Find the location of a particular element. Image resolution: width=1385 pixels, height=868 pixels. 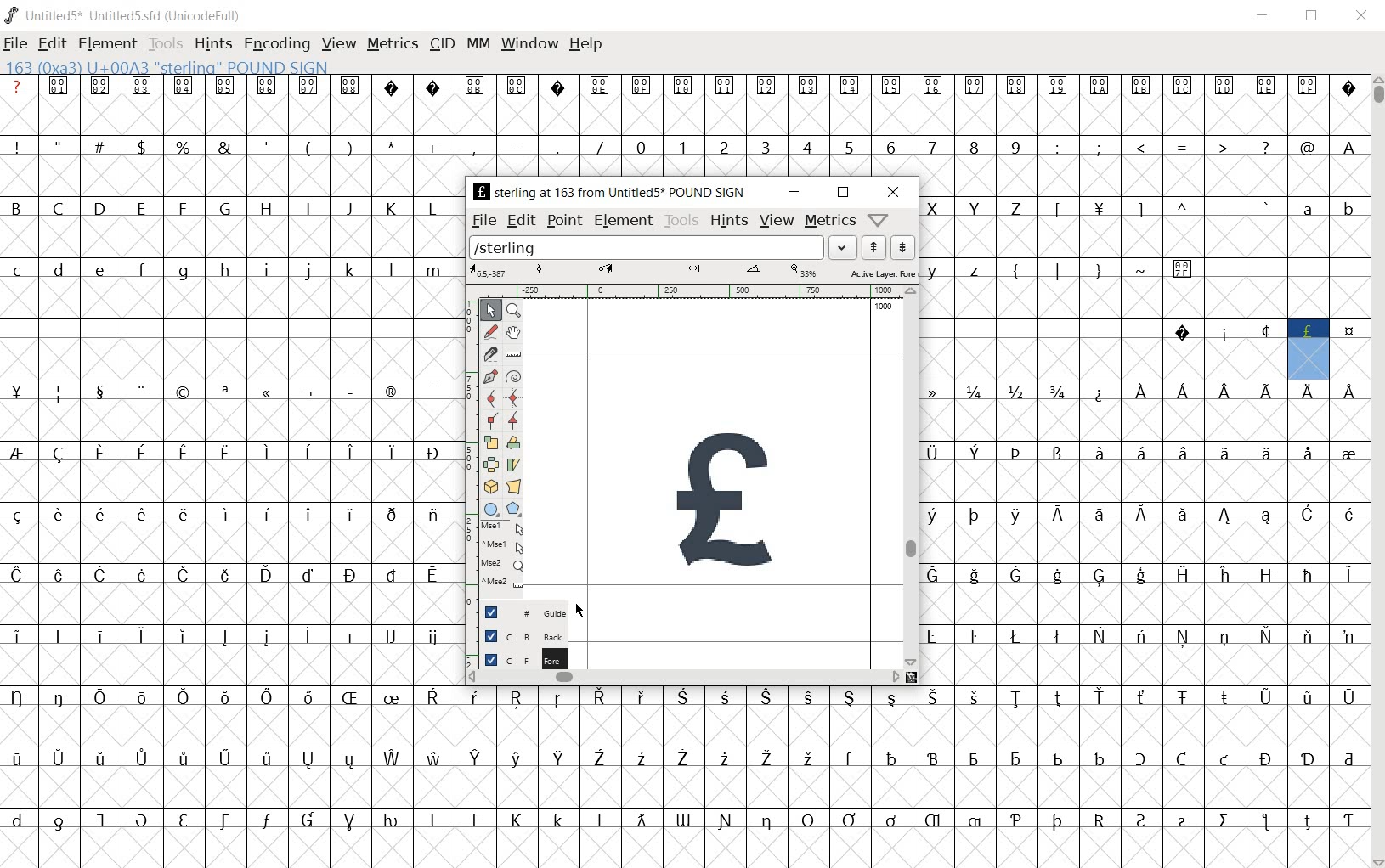

Symbol is located at coordinates (266, 823).